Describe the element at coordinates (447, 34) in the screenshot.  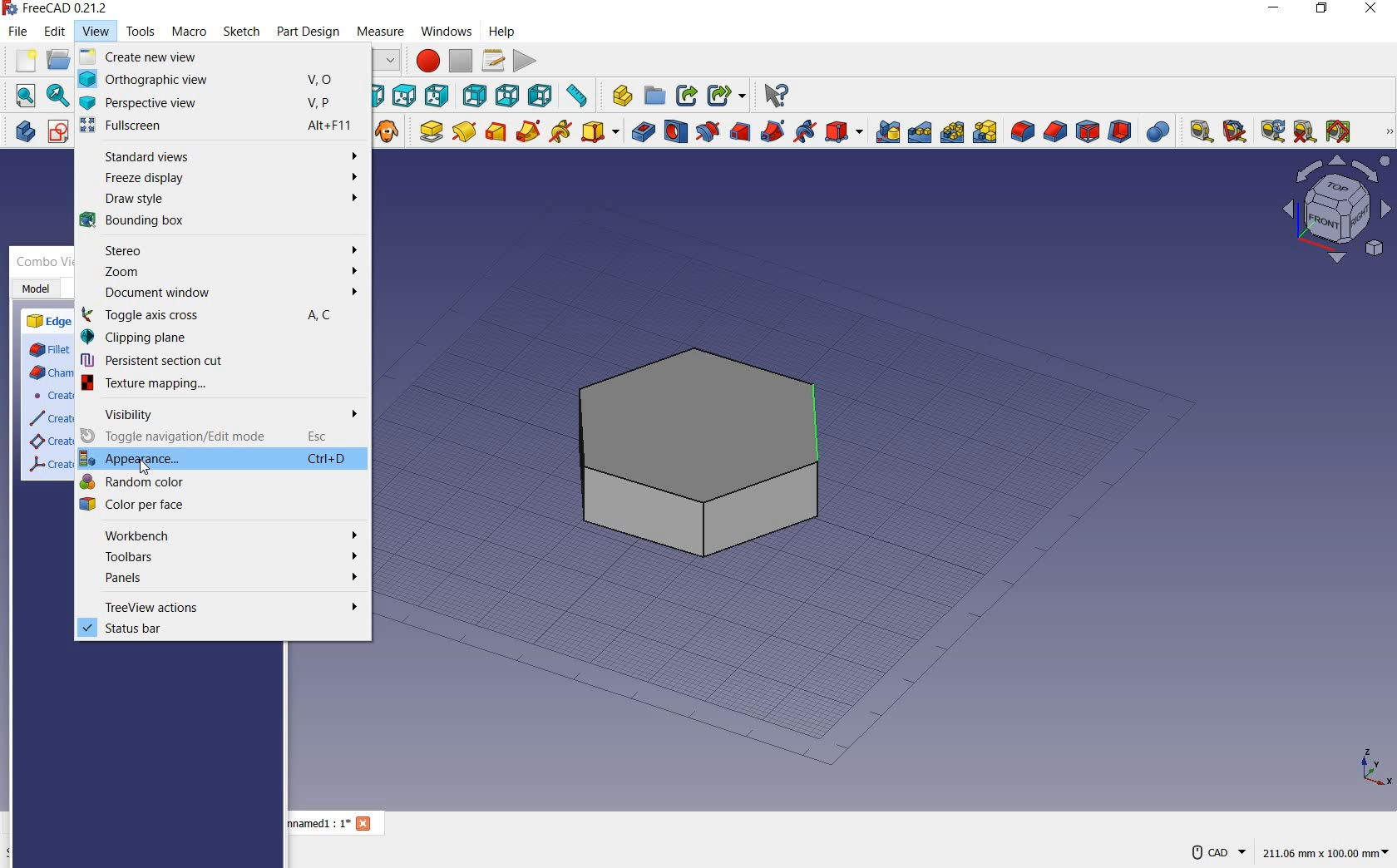
I see `windows` at that location.